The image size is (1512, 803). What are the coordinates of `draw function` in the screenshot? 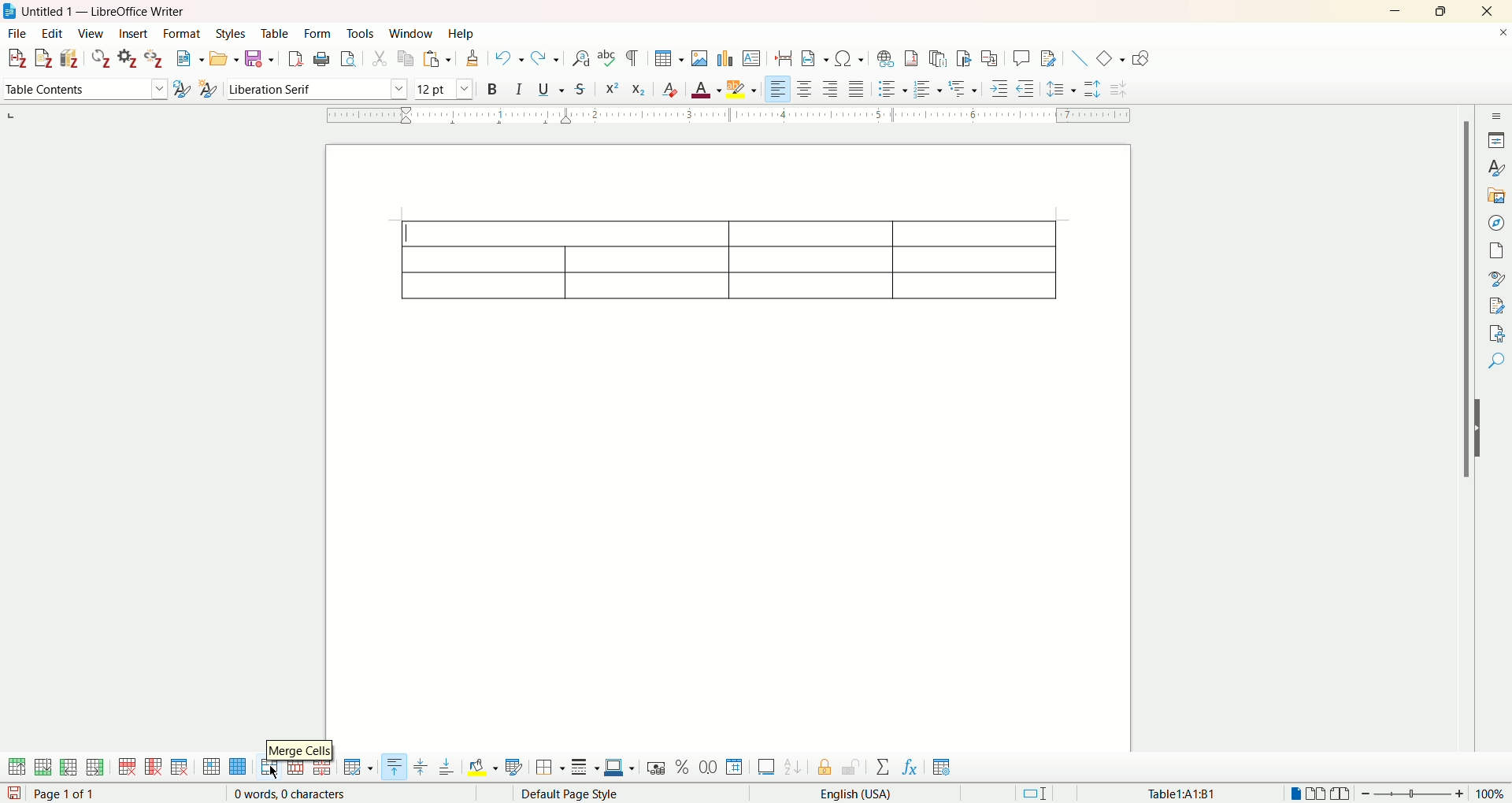 It's located at (1142, 60).